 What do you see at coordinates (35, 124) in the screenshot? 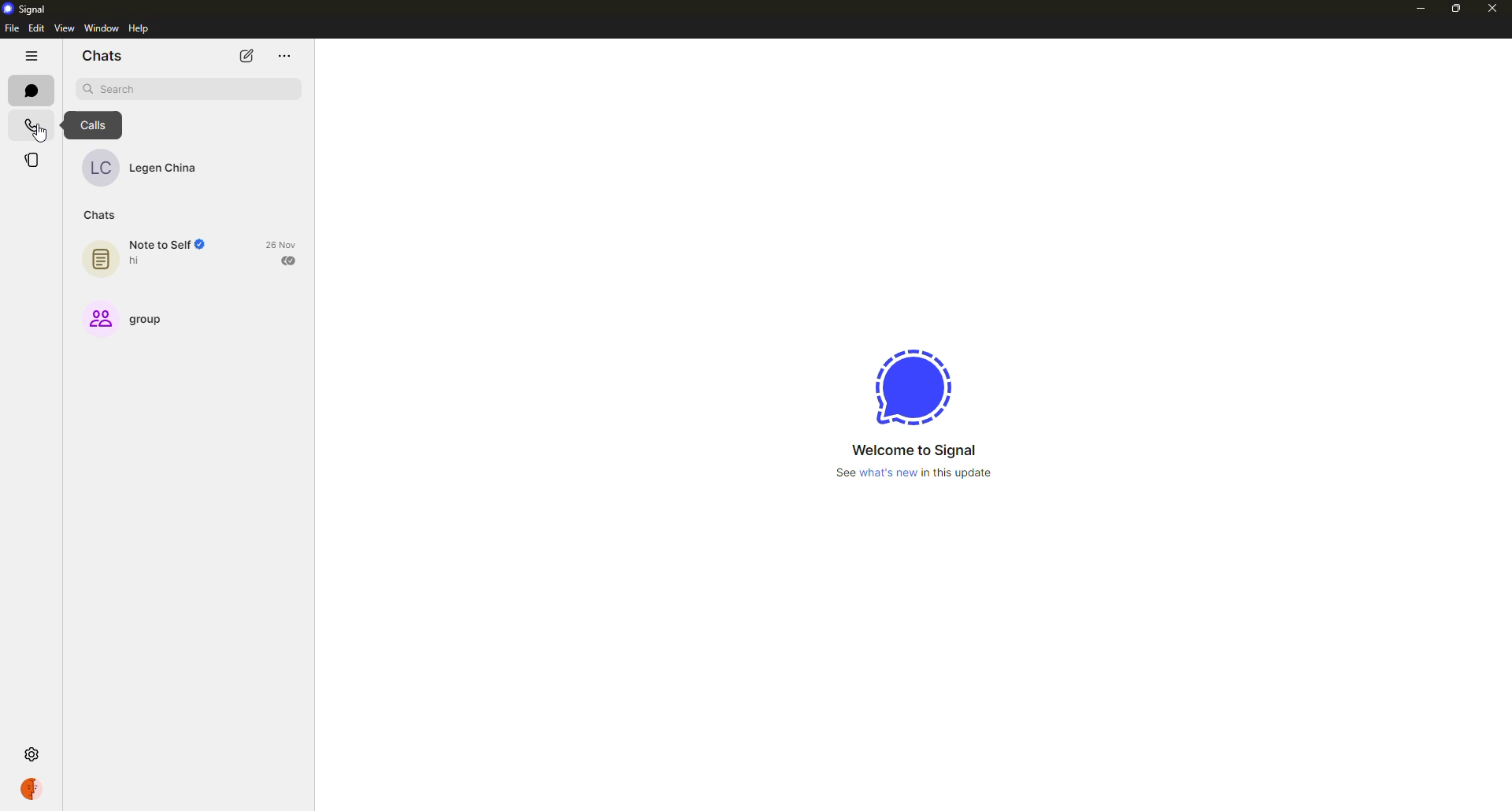
I see `calls` at bounding box center [35, 124].